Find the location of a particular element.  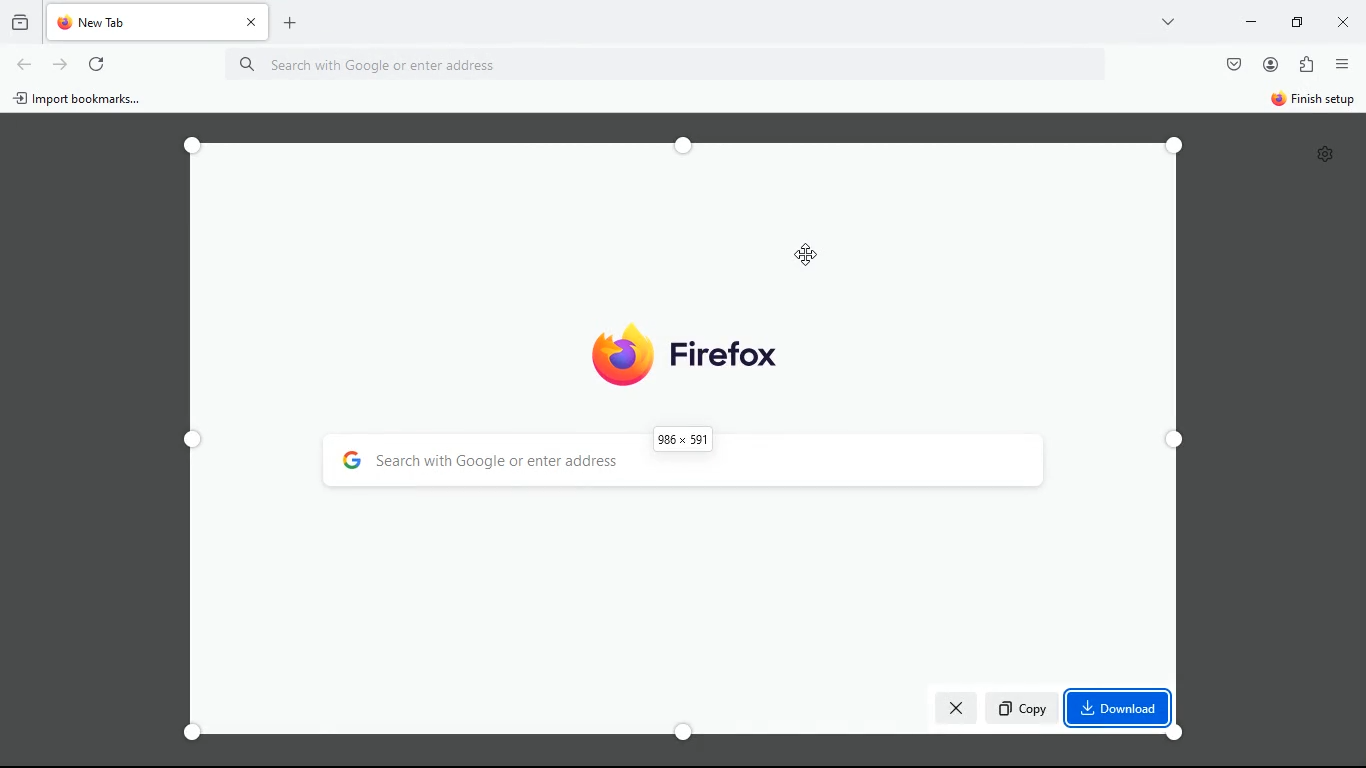

download is located at coordinates (1119, 708).